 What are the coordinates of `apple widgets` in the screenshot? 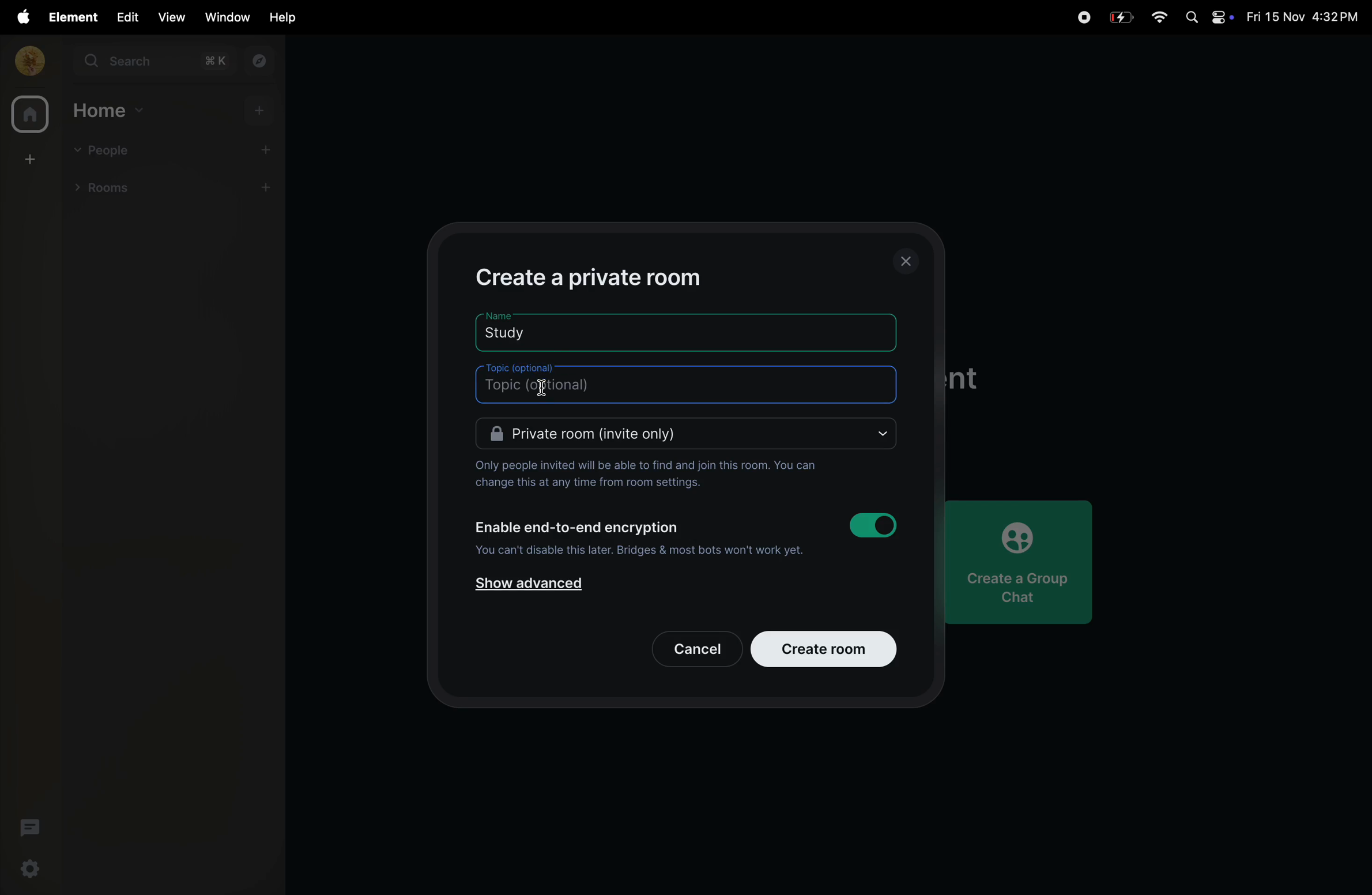 It's located at (1206, 18).